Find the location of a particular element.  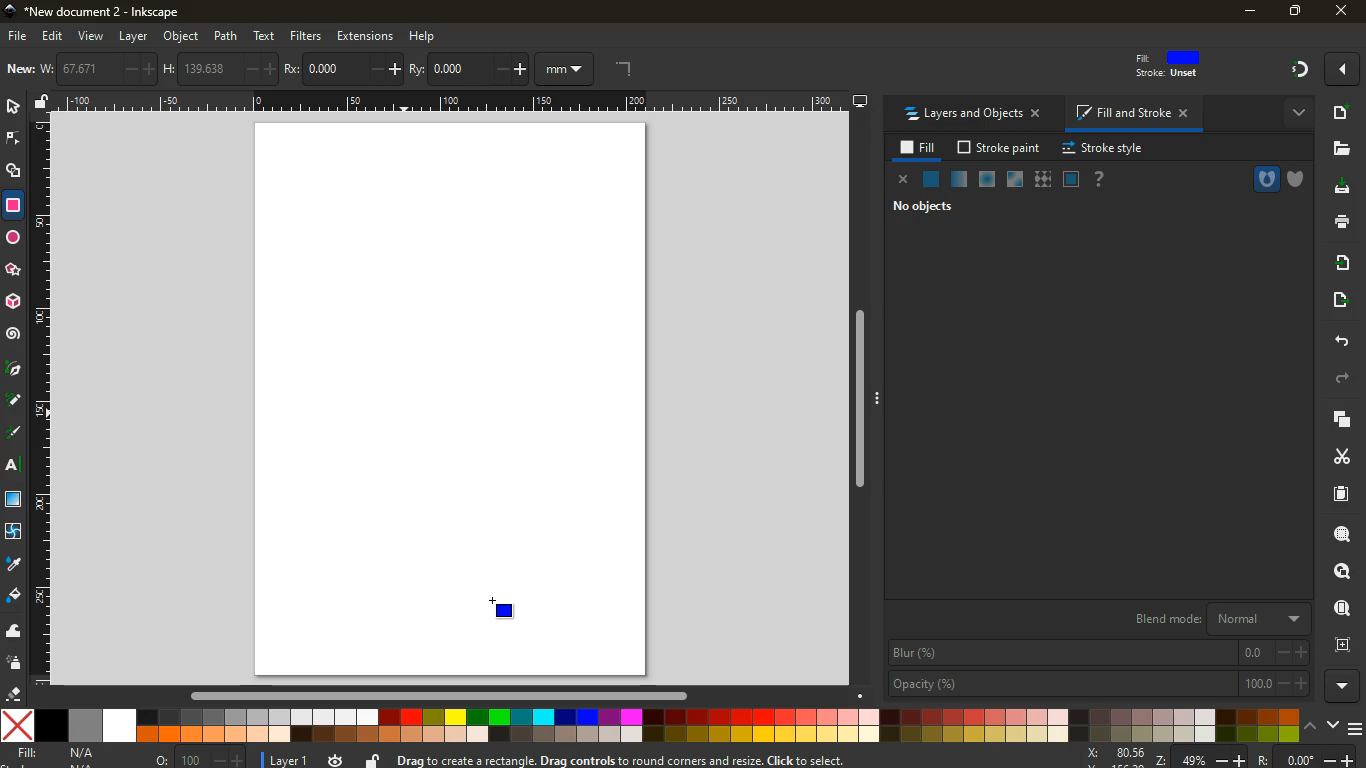

blur is located at coordinates (1100, 652).